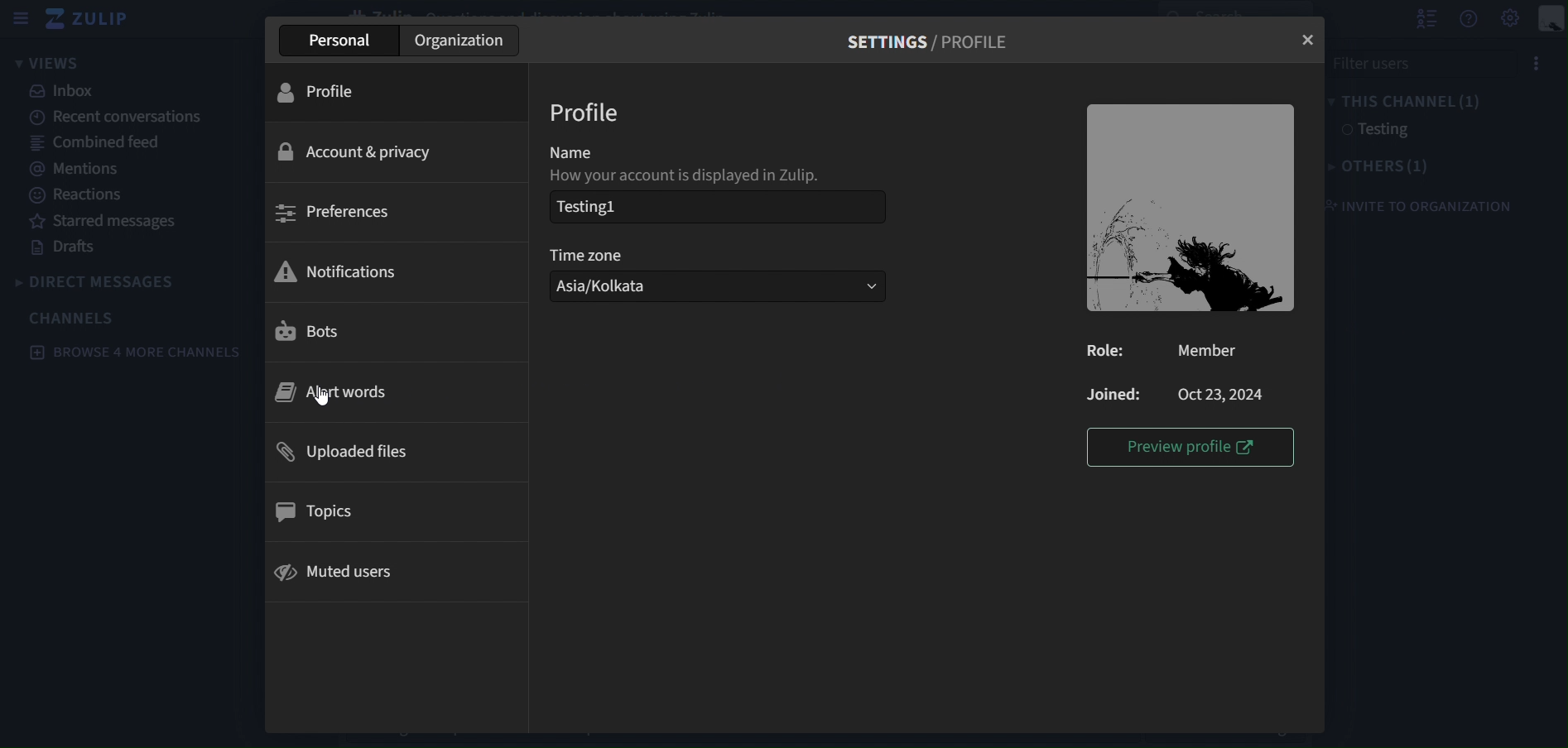  I want to click on this channel (1), so click(1408, 102).